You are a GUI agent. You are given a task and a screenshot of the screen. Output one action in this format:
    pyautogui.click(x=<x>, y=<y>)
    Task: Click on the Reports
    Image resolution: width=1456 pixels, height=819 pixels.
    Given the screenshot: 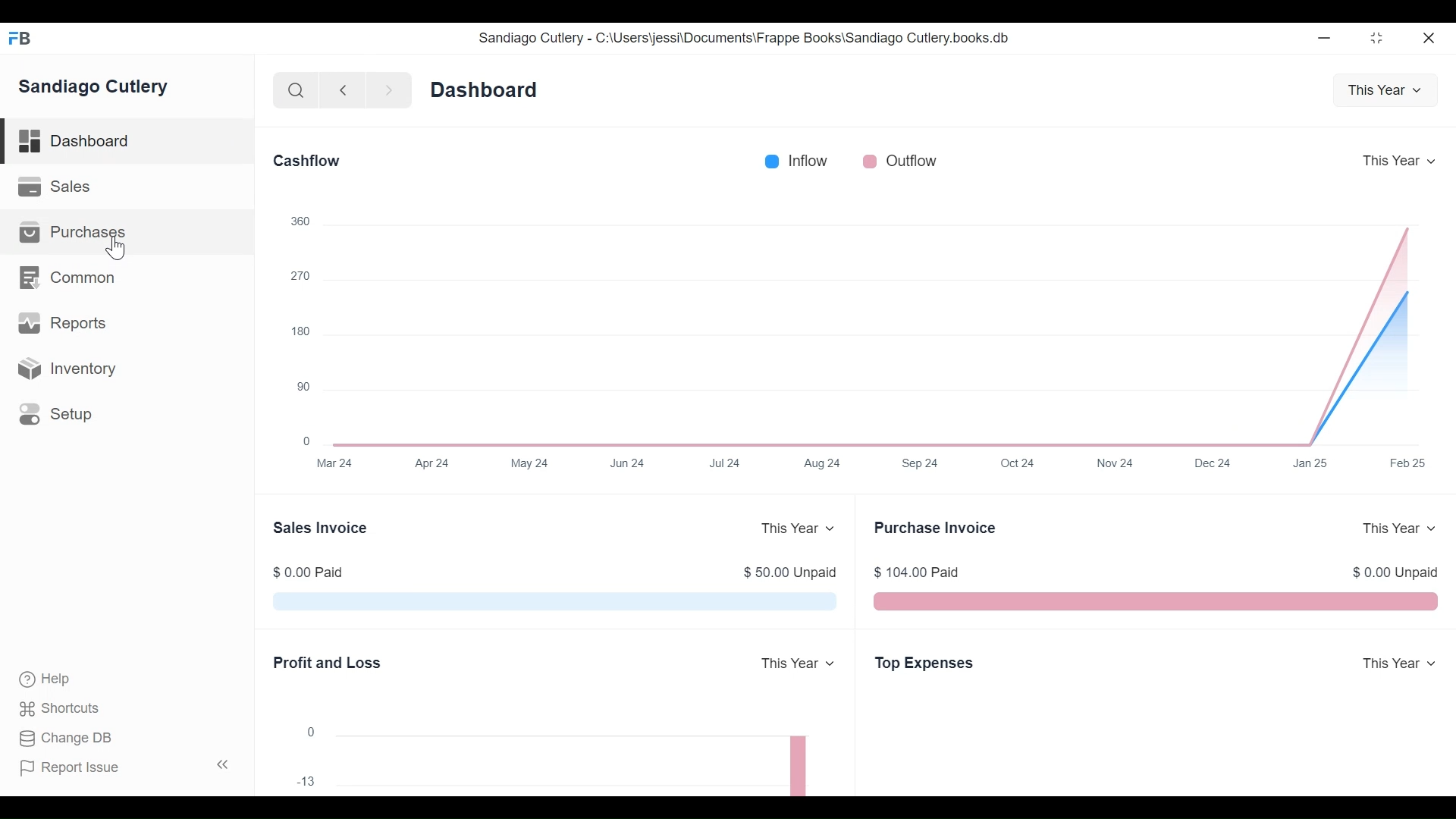 What is the action you would take?
    pyautogui.click(x=61, y=324)
    